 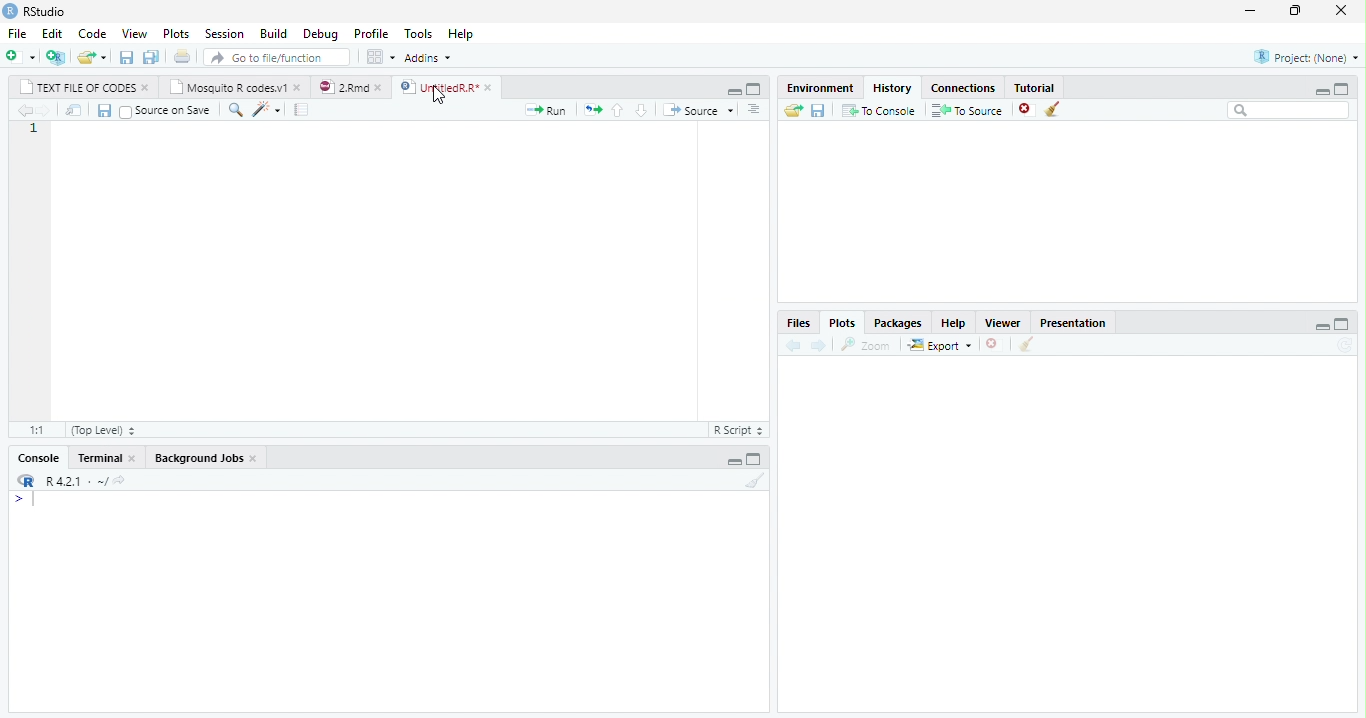 I want to click on addins, so click(x=431, y=57).